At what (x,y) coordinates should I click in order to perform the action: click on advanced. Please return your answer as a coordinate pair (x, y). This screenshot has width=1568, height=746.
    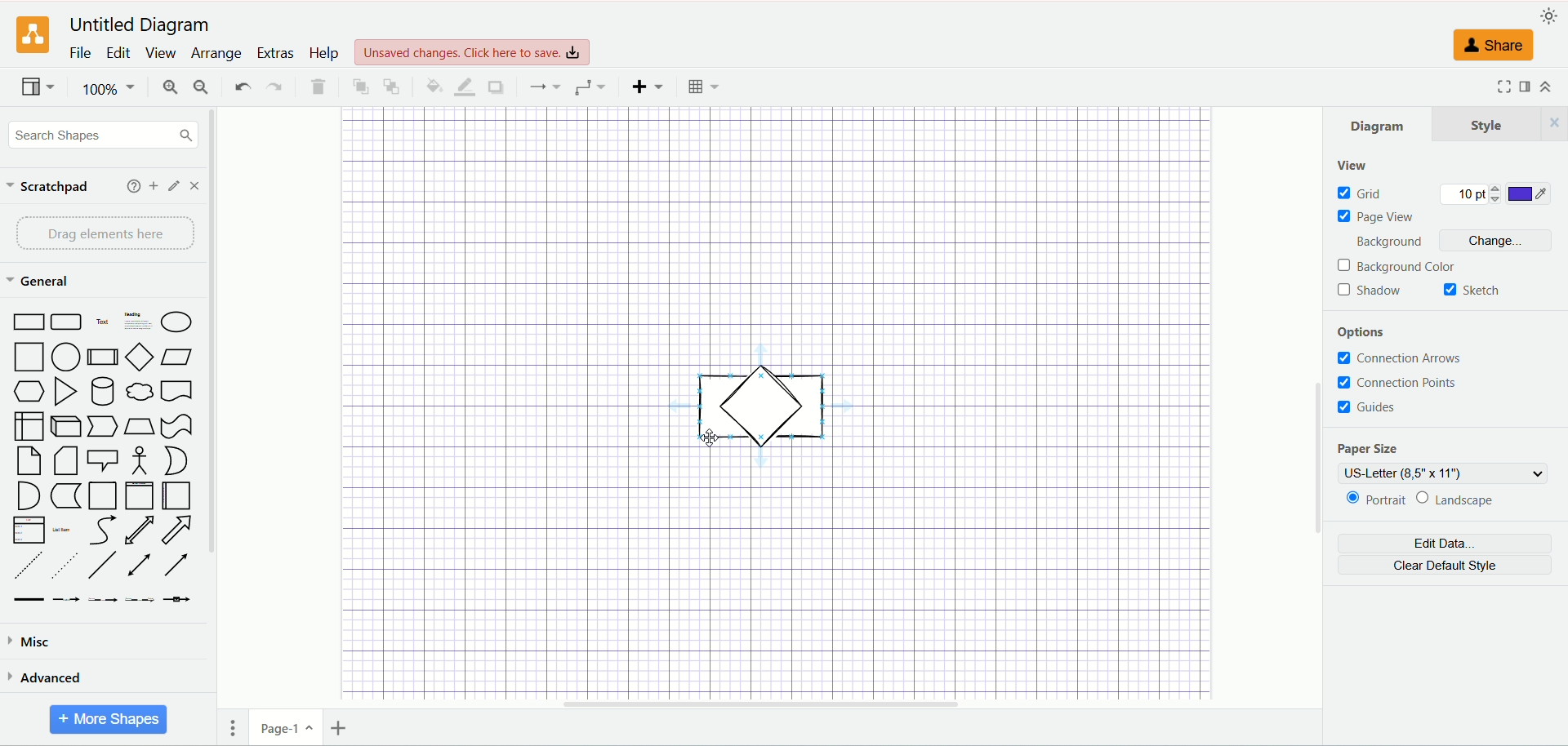
    Looking at the image, I should click on (51, 681).